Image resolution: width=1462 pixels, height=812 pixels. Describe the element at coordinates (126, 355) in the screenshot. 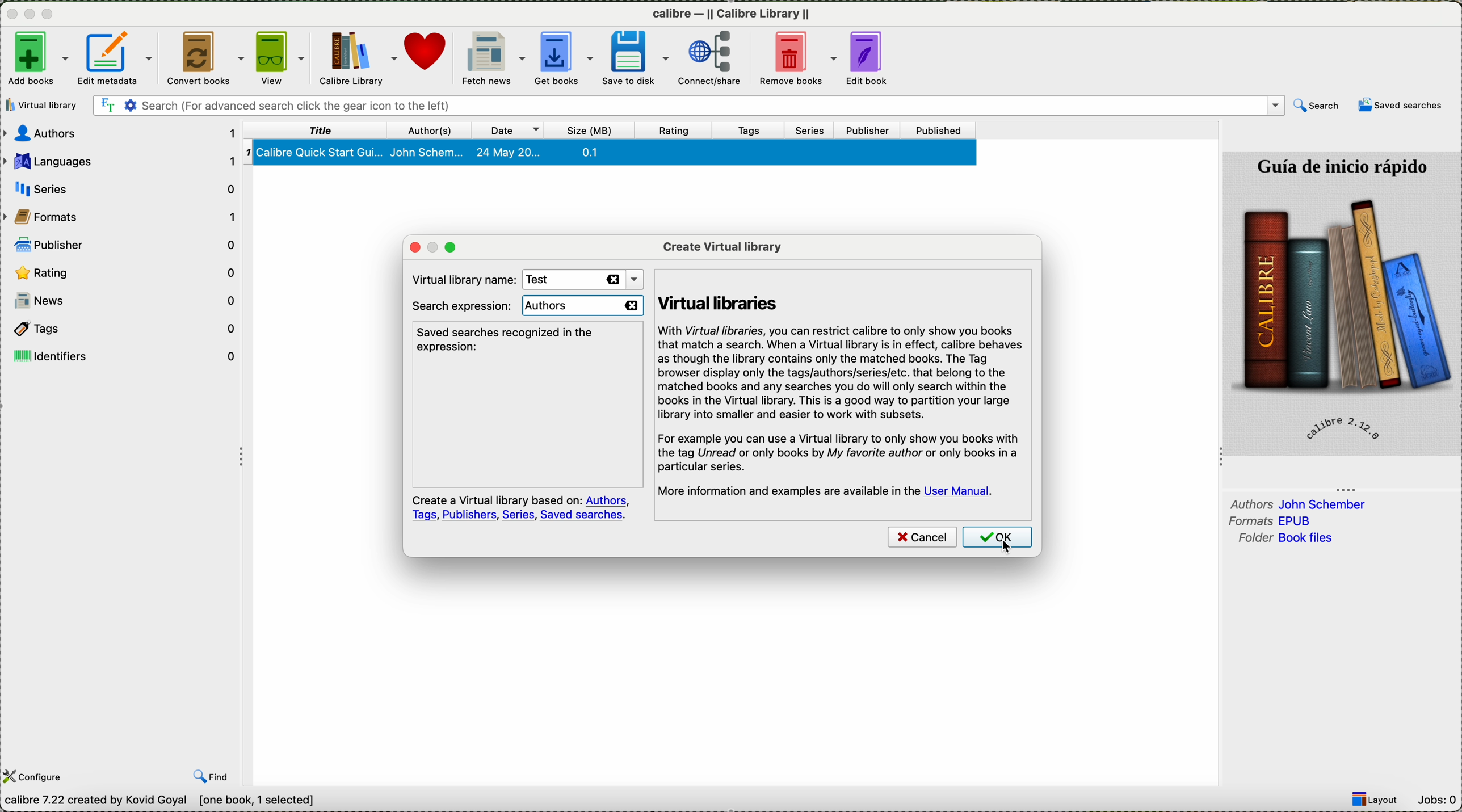

I see `identifiers` at that location.